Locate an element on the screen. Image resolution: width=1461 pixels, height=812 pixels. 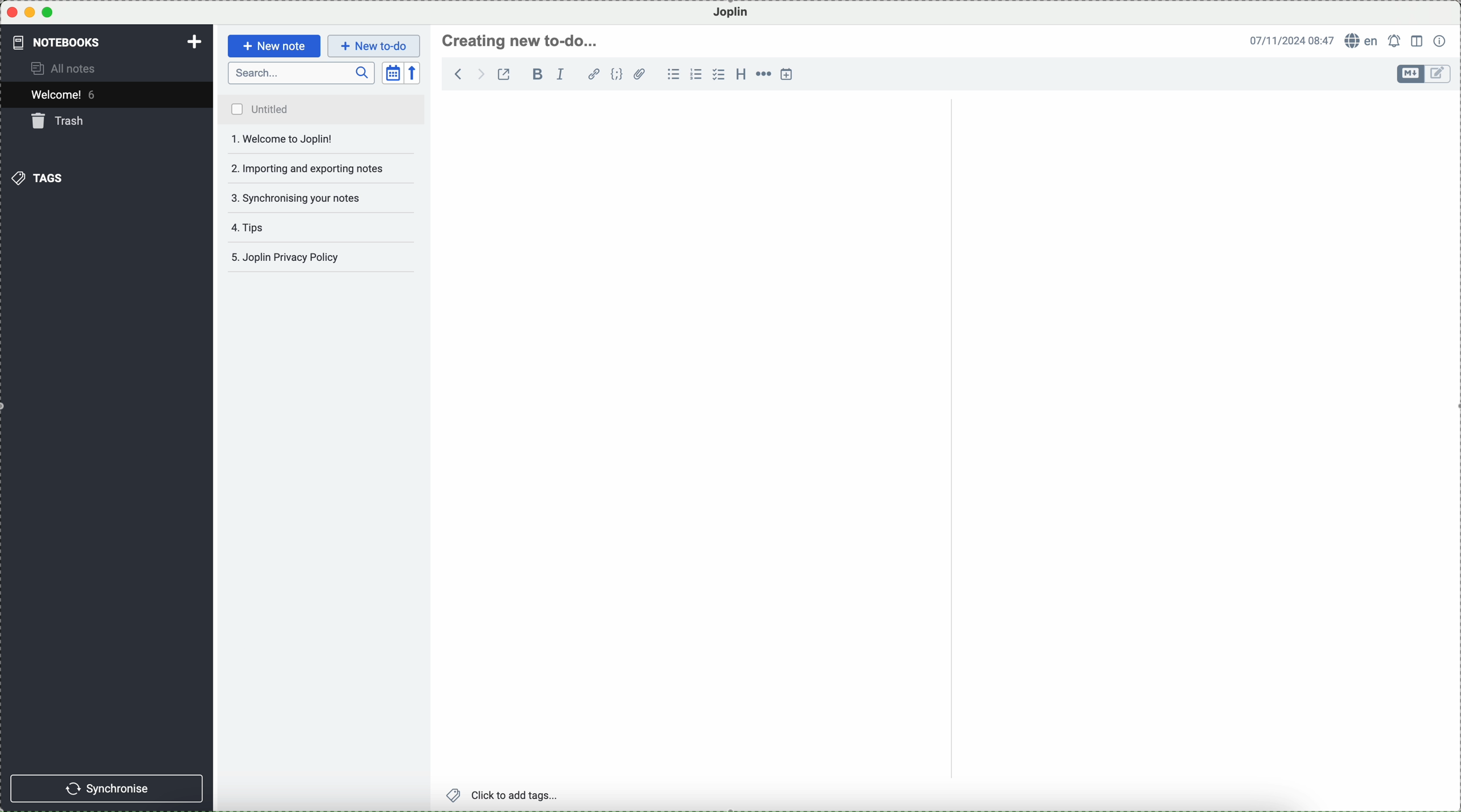
add tags is located at coordinates (504, 796).